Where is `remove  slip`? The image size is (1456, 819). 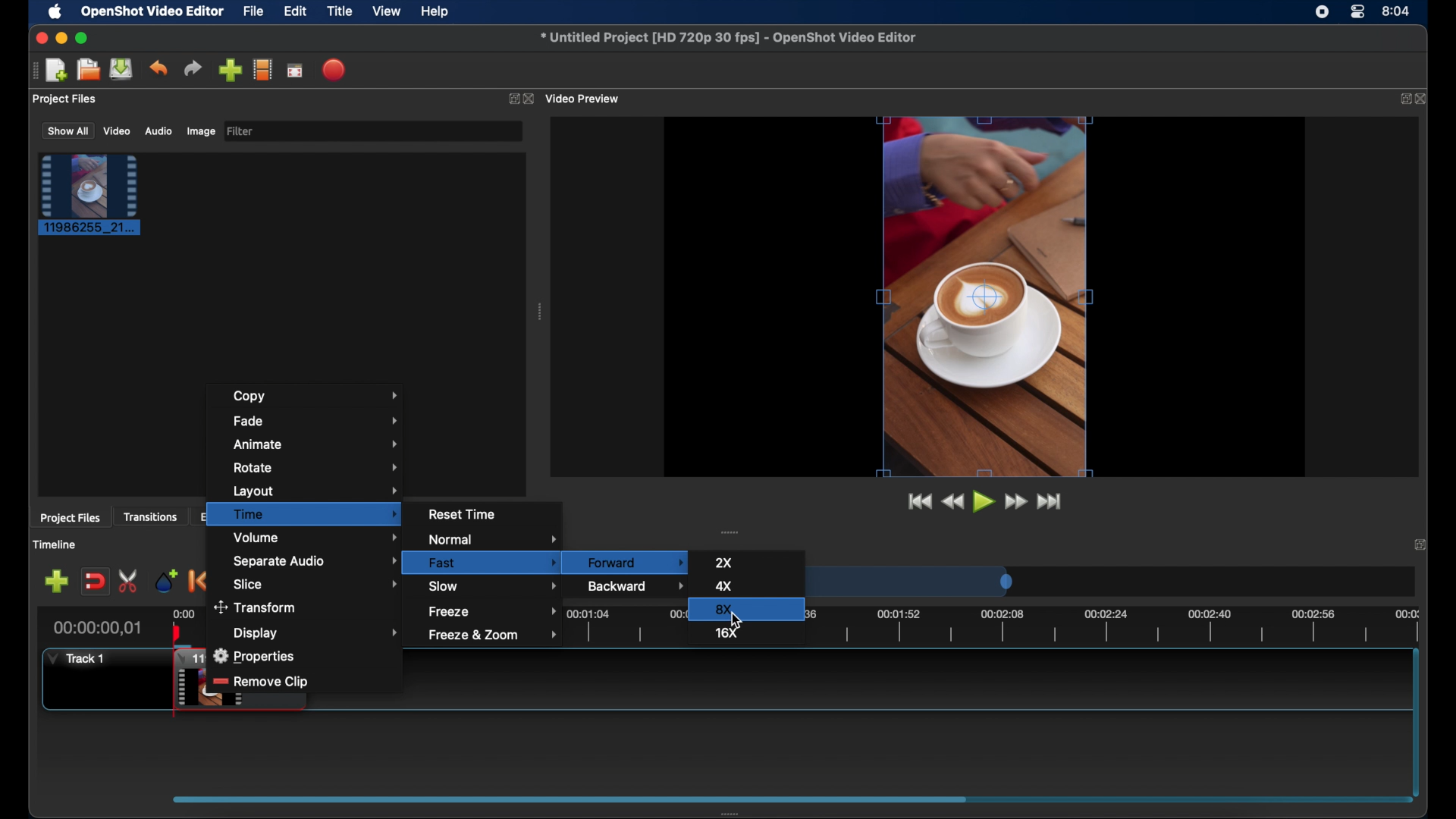
remove  slip is located at coordinates (262, 682).